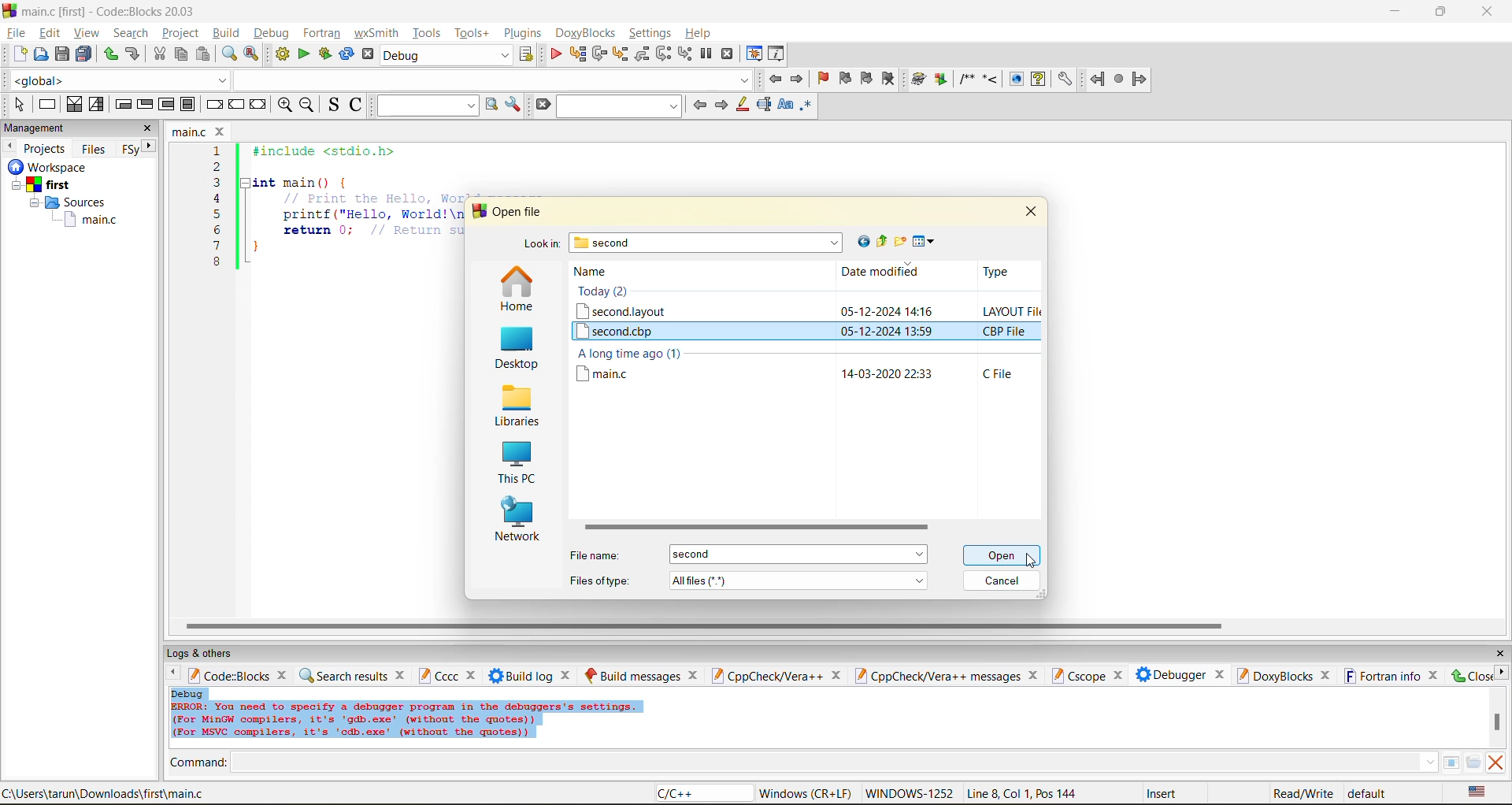 This screenshot has height=805, width=1512. I want to click on close, so click(1470, 675).